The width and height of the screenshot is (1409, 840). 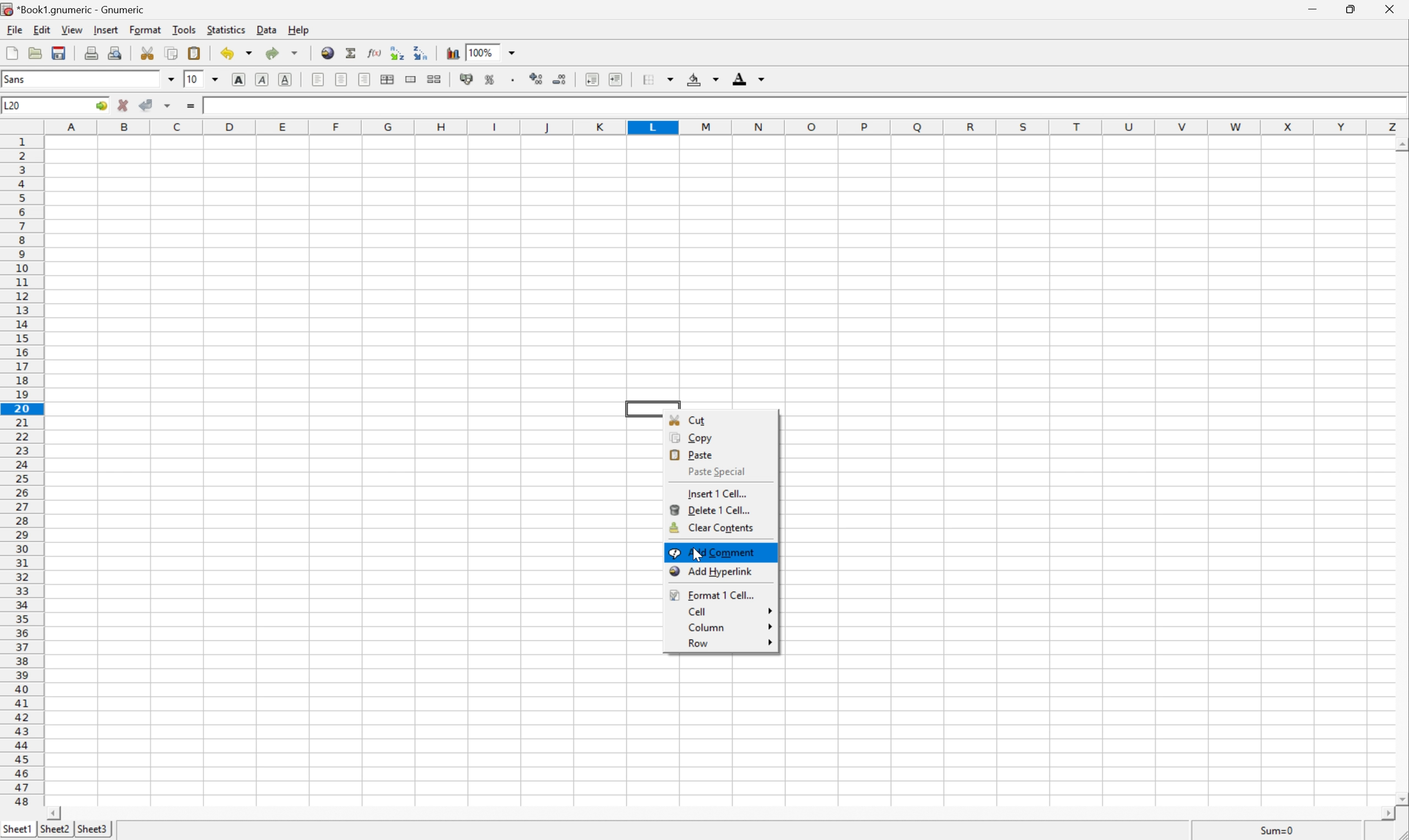 I want to click on Copy selection, so click(x=172, y=53).